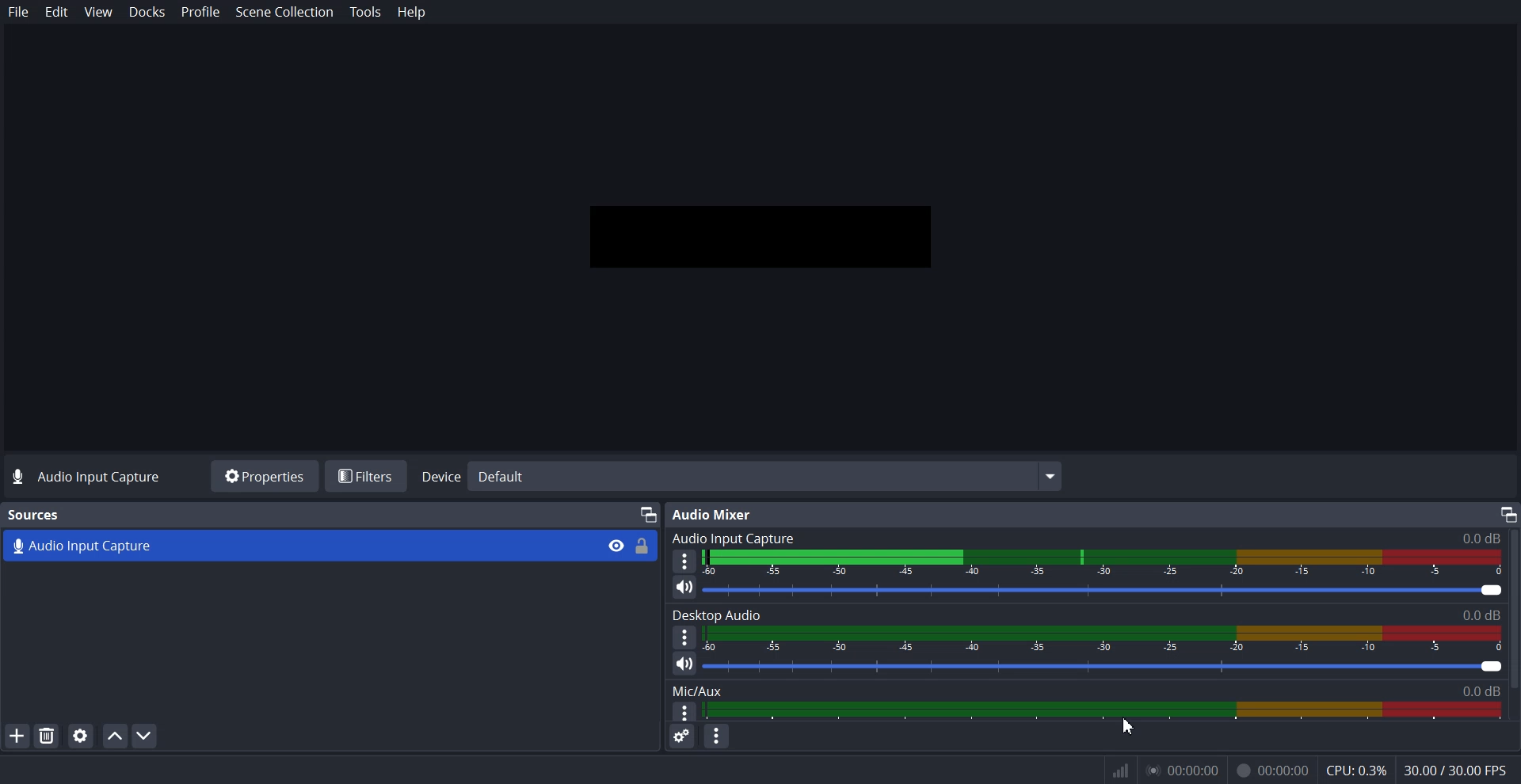 The width and height of the screenshot is (1521, 784). What do you see at coordinates (1111, 666) in the screenshot?
I see `Volume level adjuster` at bounding box center [1111, 666].